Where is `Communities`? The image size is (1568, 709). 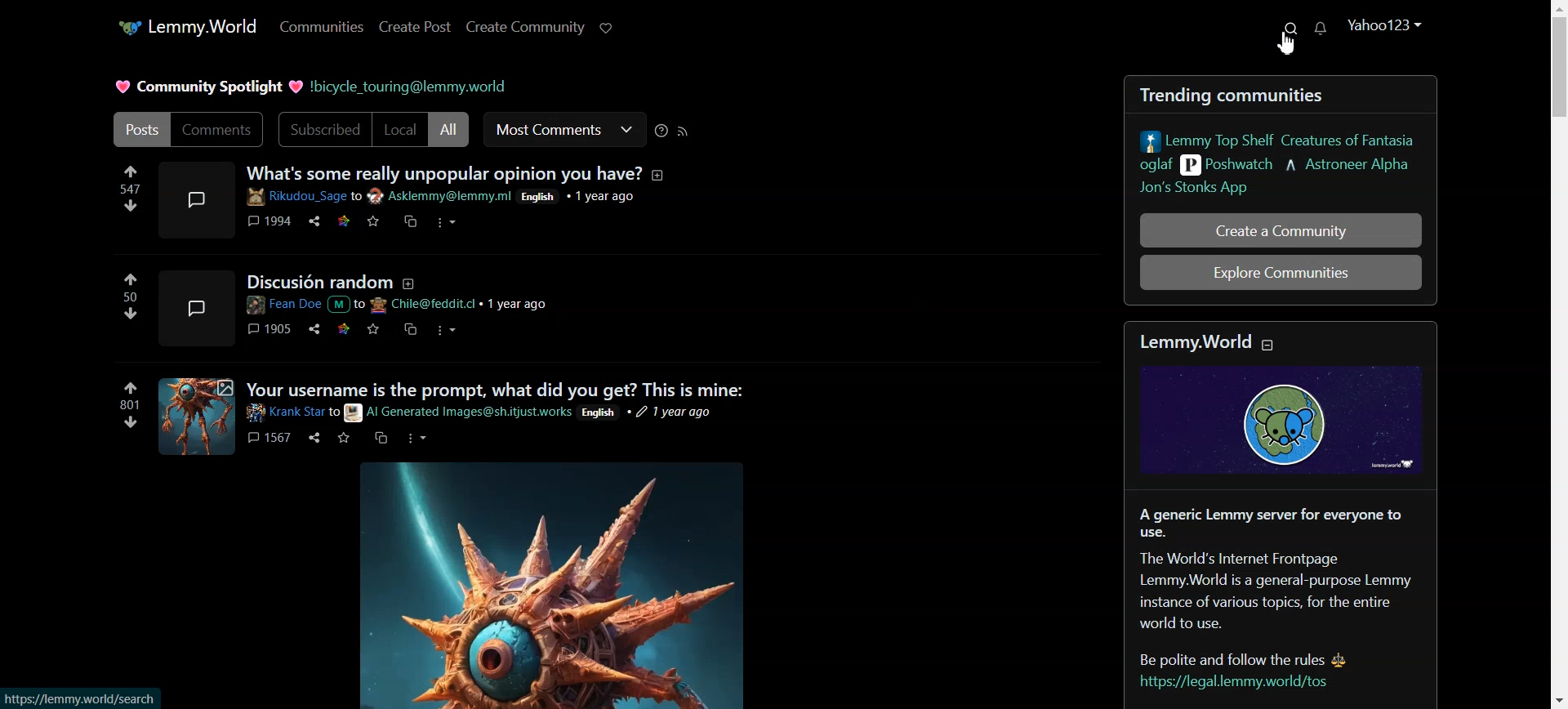 Communities is located at coordinates (321, 26).